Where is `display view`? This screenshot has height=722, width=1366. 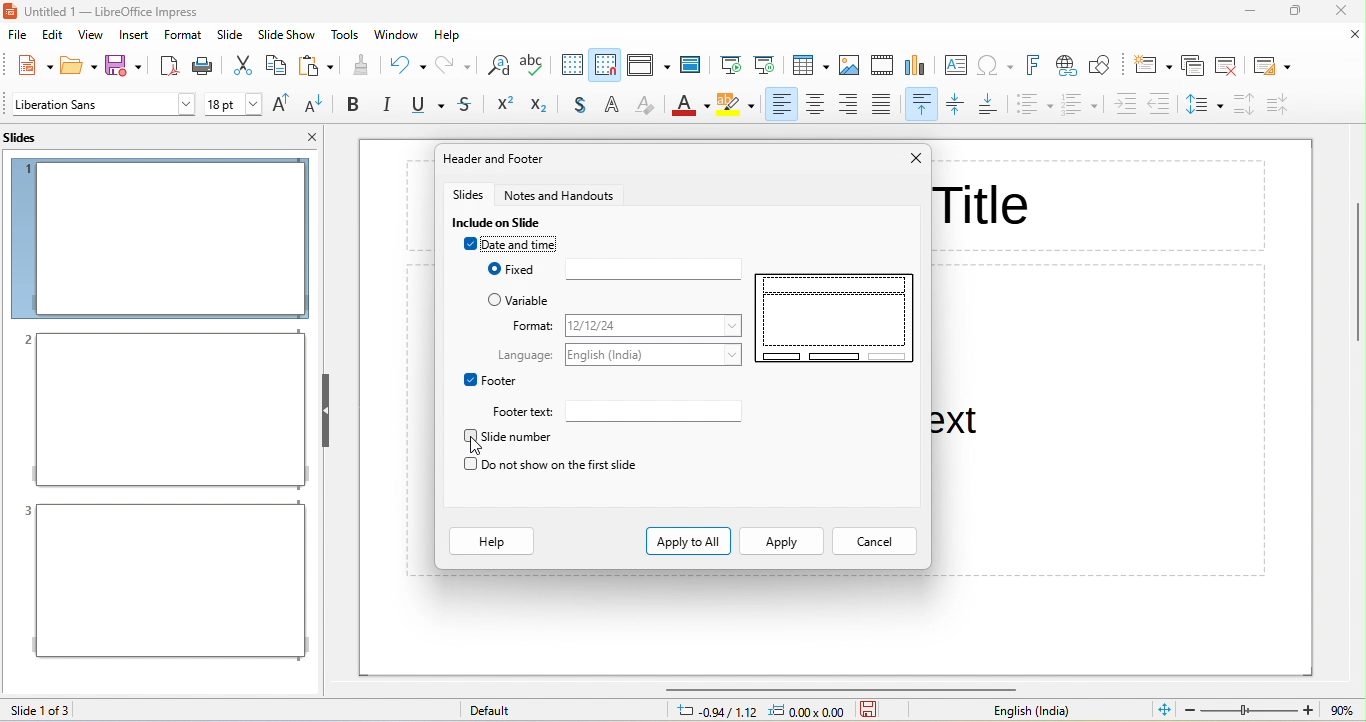
display view is located at coordinates (648, 65).